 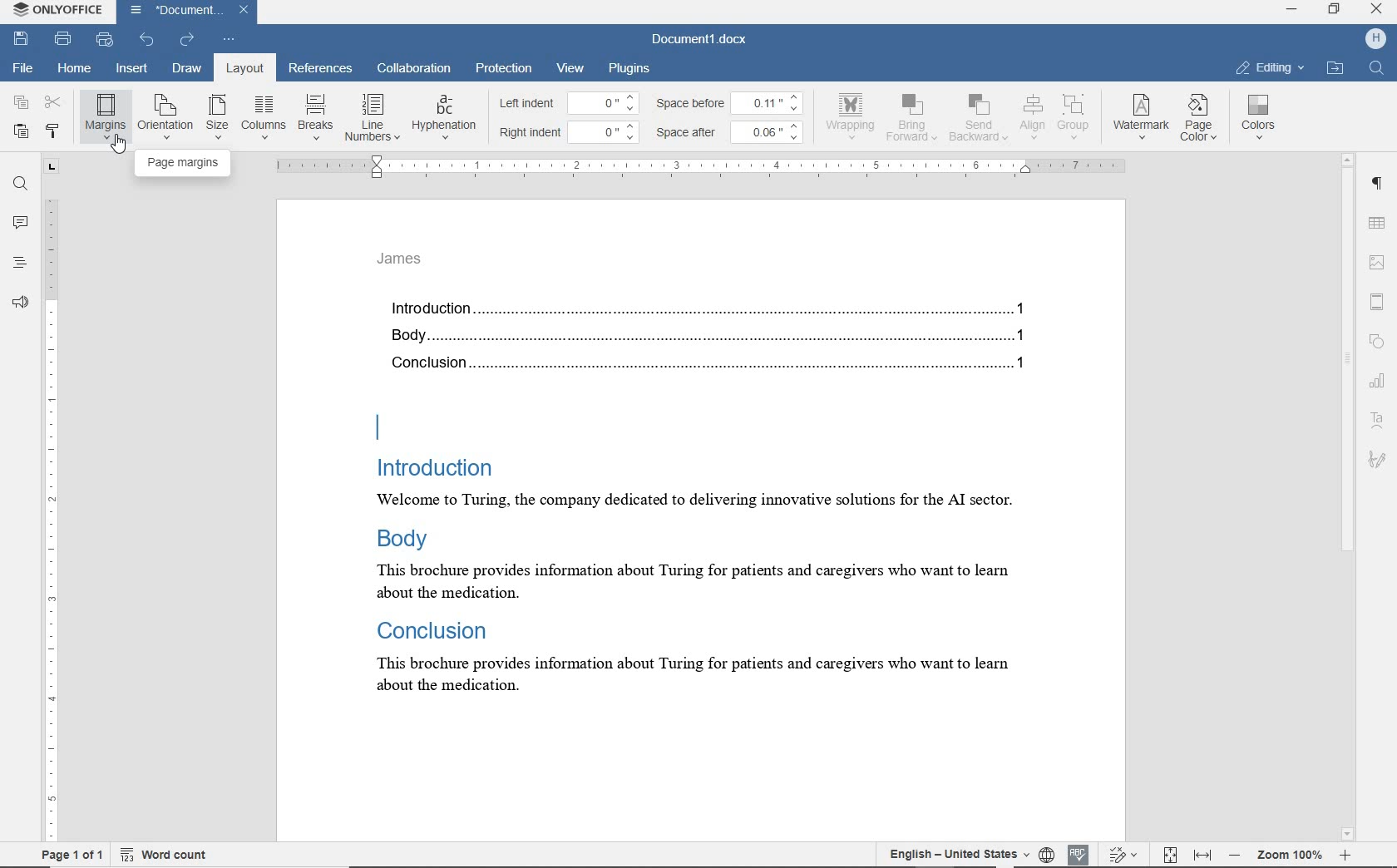 I want to click on ruler, so click(x=704, y=166).